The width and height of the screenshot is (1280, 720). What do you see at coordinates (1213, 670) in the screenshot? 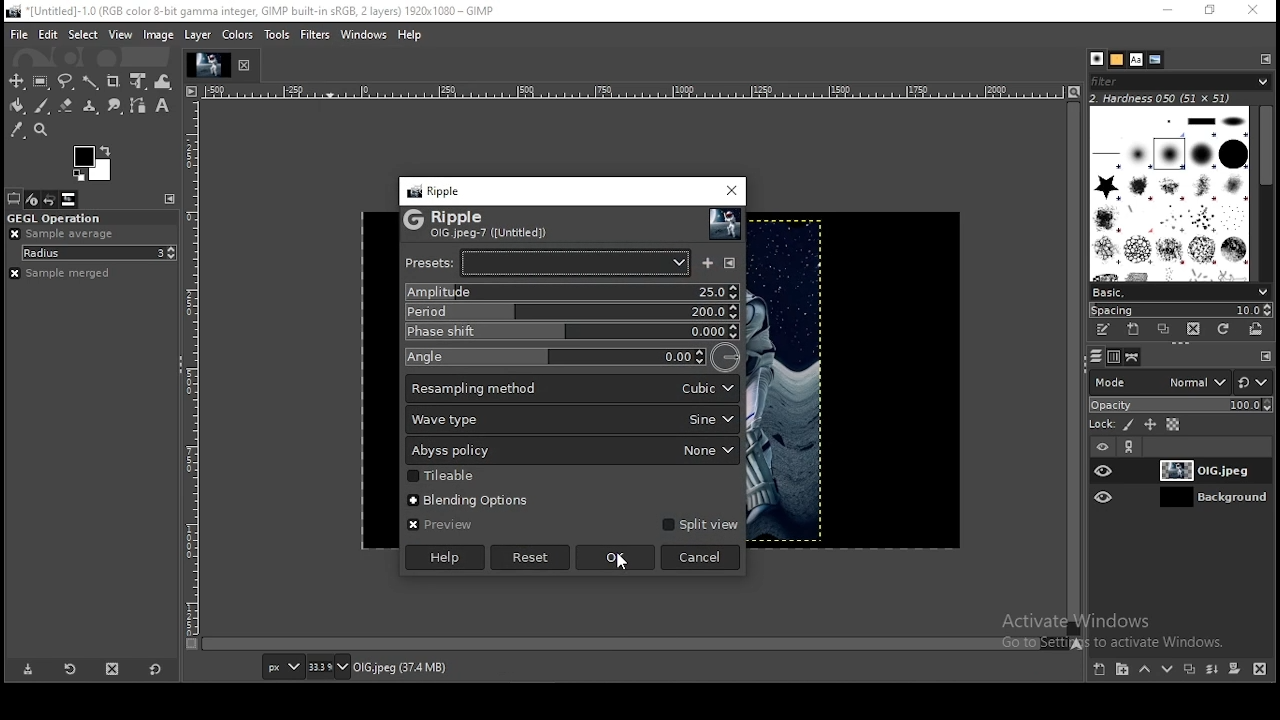
I see `merge this layer` at bounding box center [1213, 670].